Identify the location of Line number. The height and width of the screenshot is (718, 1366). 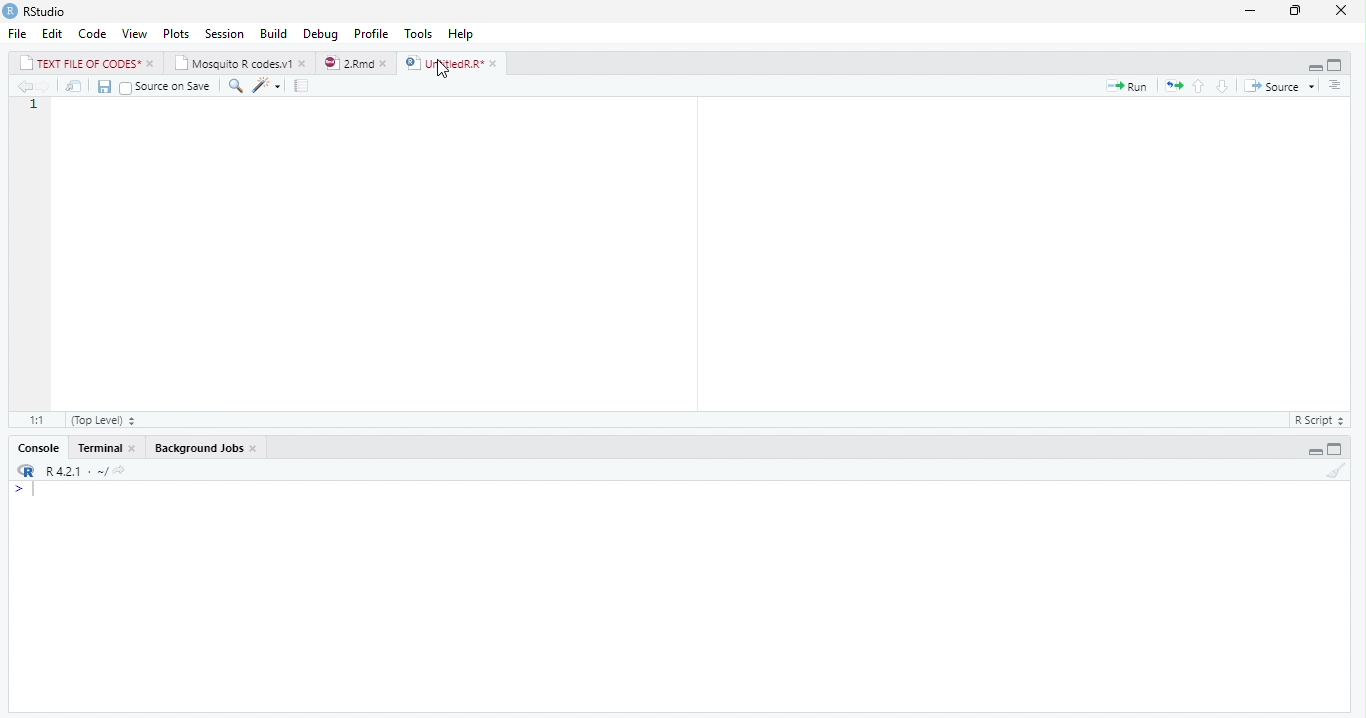
(37, 253).